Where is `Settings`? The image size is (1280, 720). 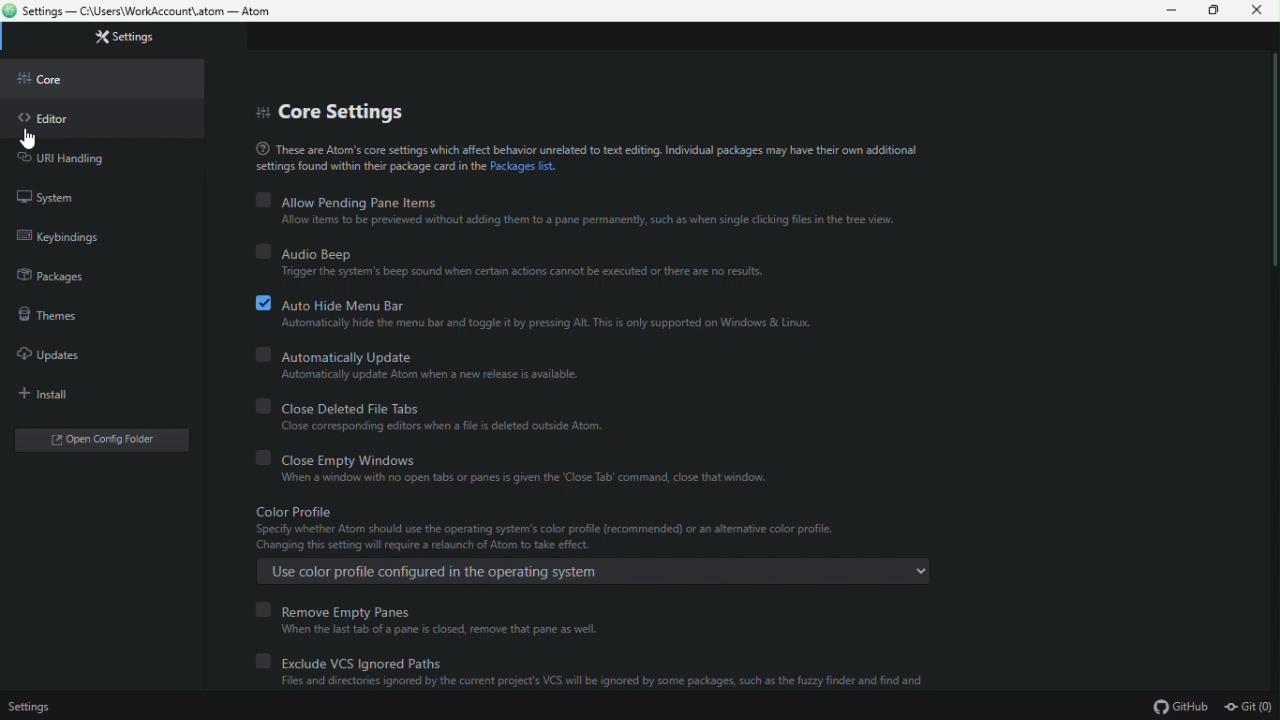 Settings is located at coordinates (31, 707).